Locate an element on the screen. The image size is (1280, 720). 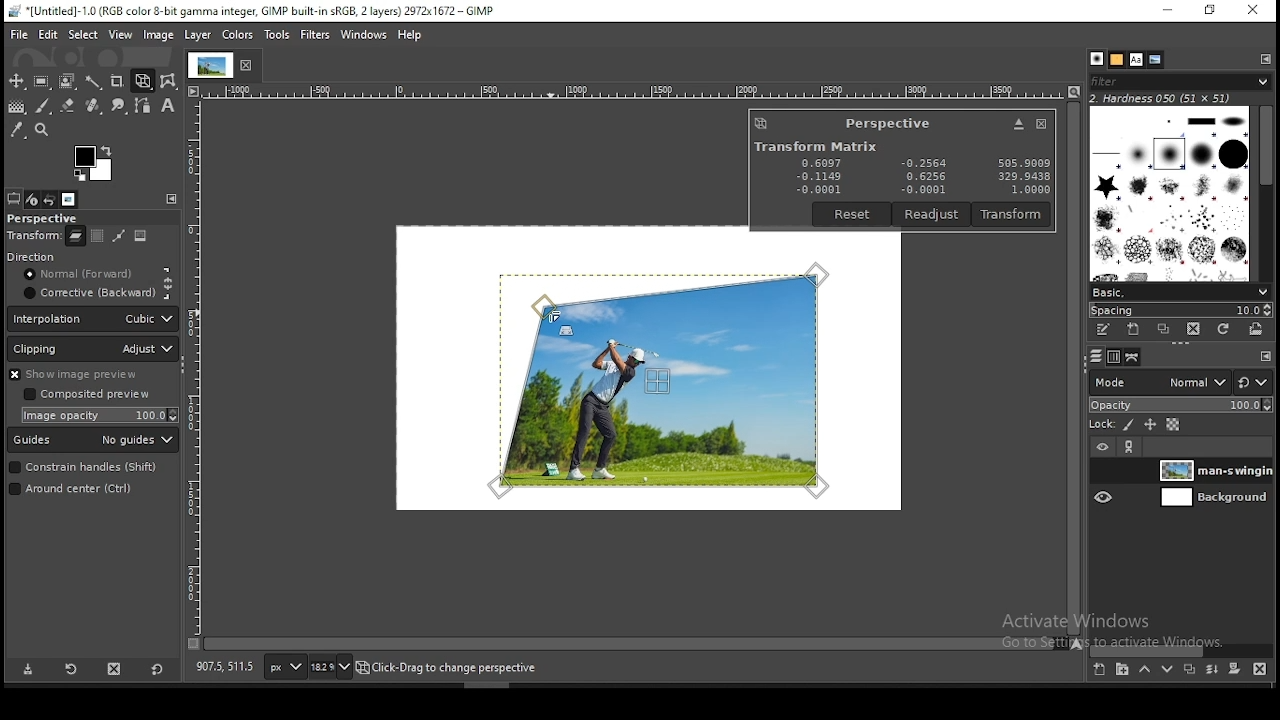
merge layer is located at coordinates (1212, 667).